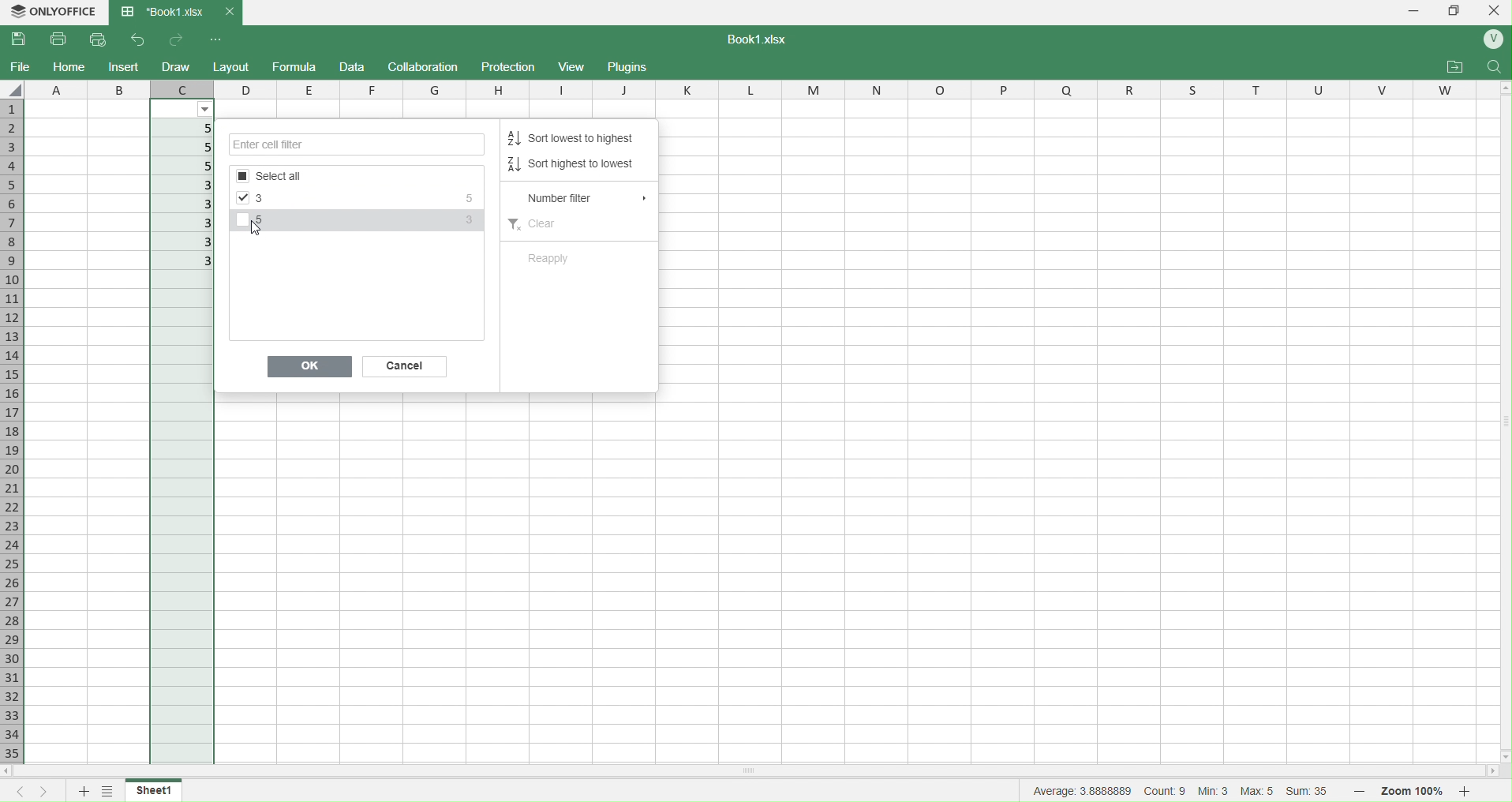 The width and height of the screenshot is (1512, 802). I want to click on Sort lowest to highest, so click(578, 139).